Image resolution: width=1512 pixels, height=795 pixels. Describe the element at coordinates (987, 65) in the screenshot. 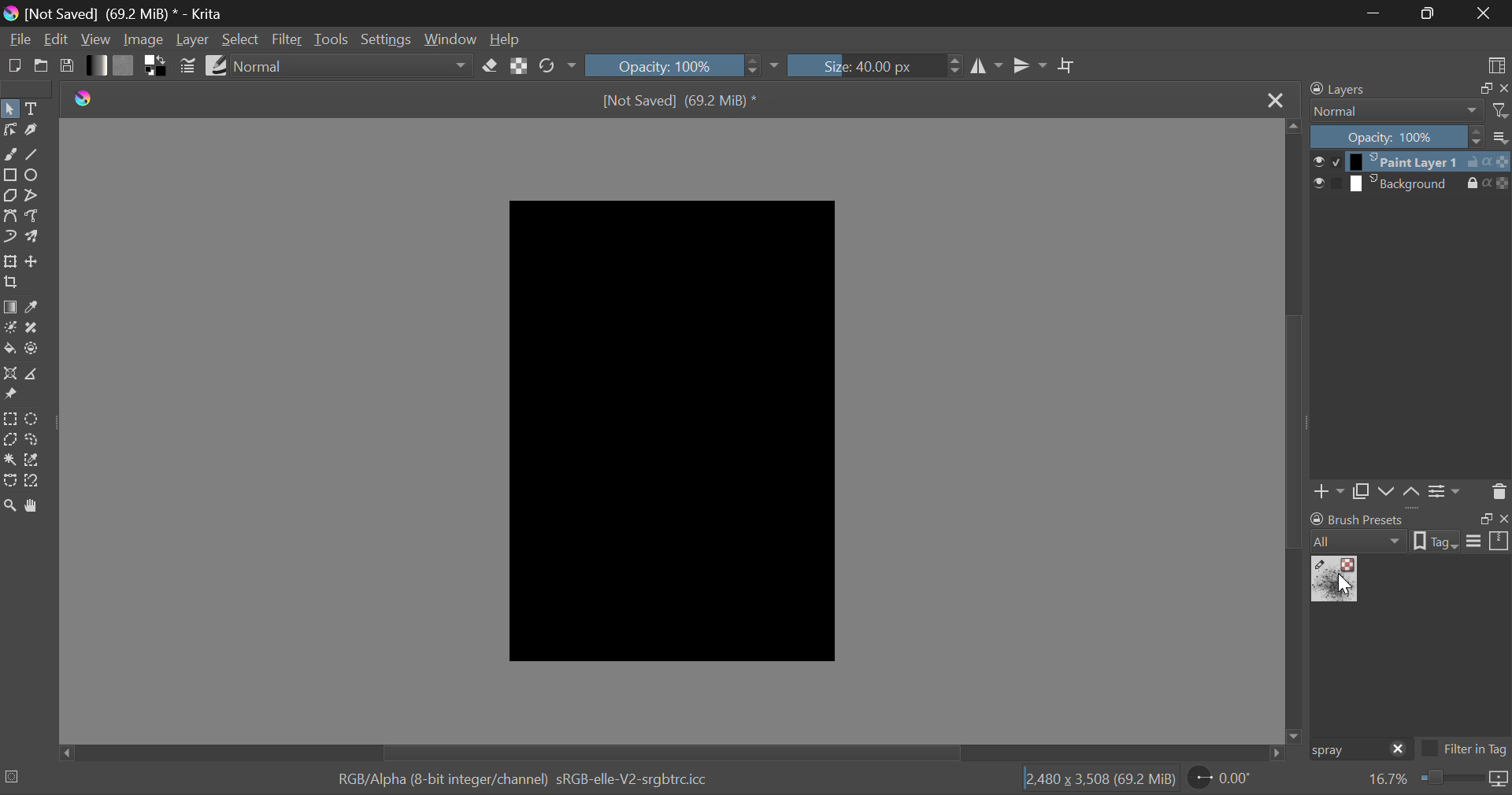

I see `Vertical Mirror Flip` at that location.